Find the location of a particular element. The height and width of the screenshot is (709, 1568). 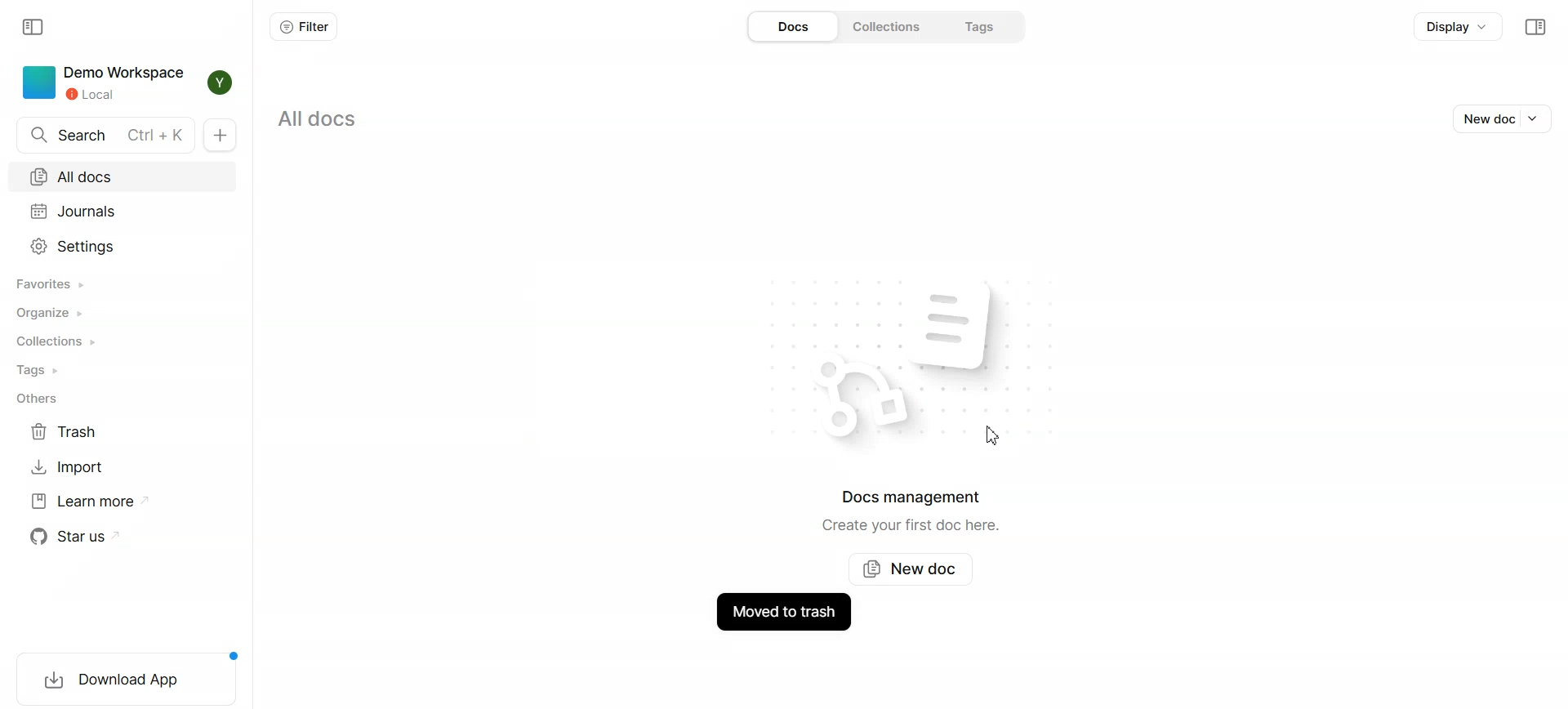

Settings is located at coordinates (122, 247).